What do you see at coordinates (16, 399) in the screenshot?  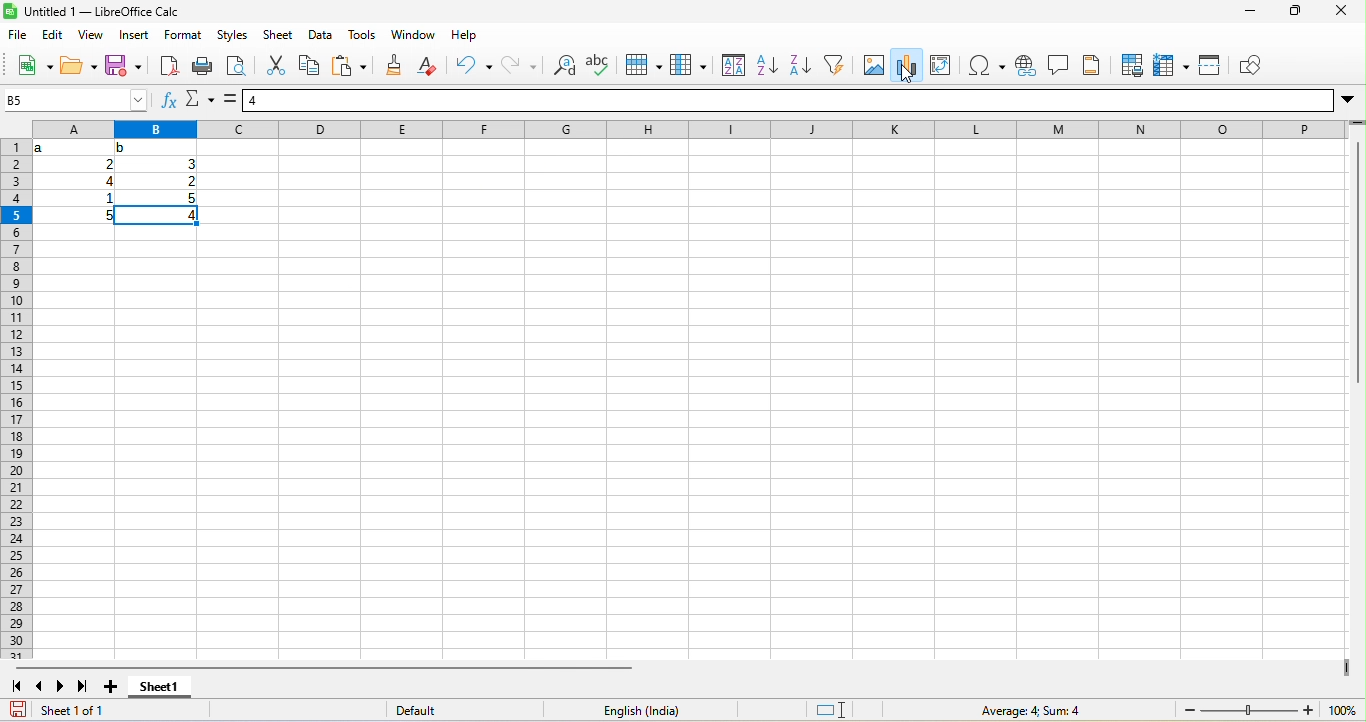 I see `rows` at bounding box center [16, 399].